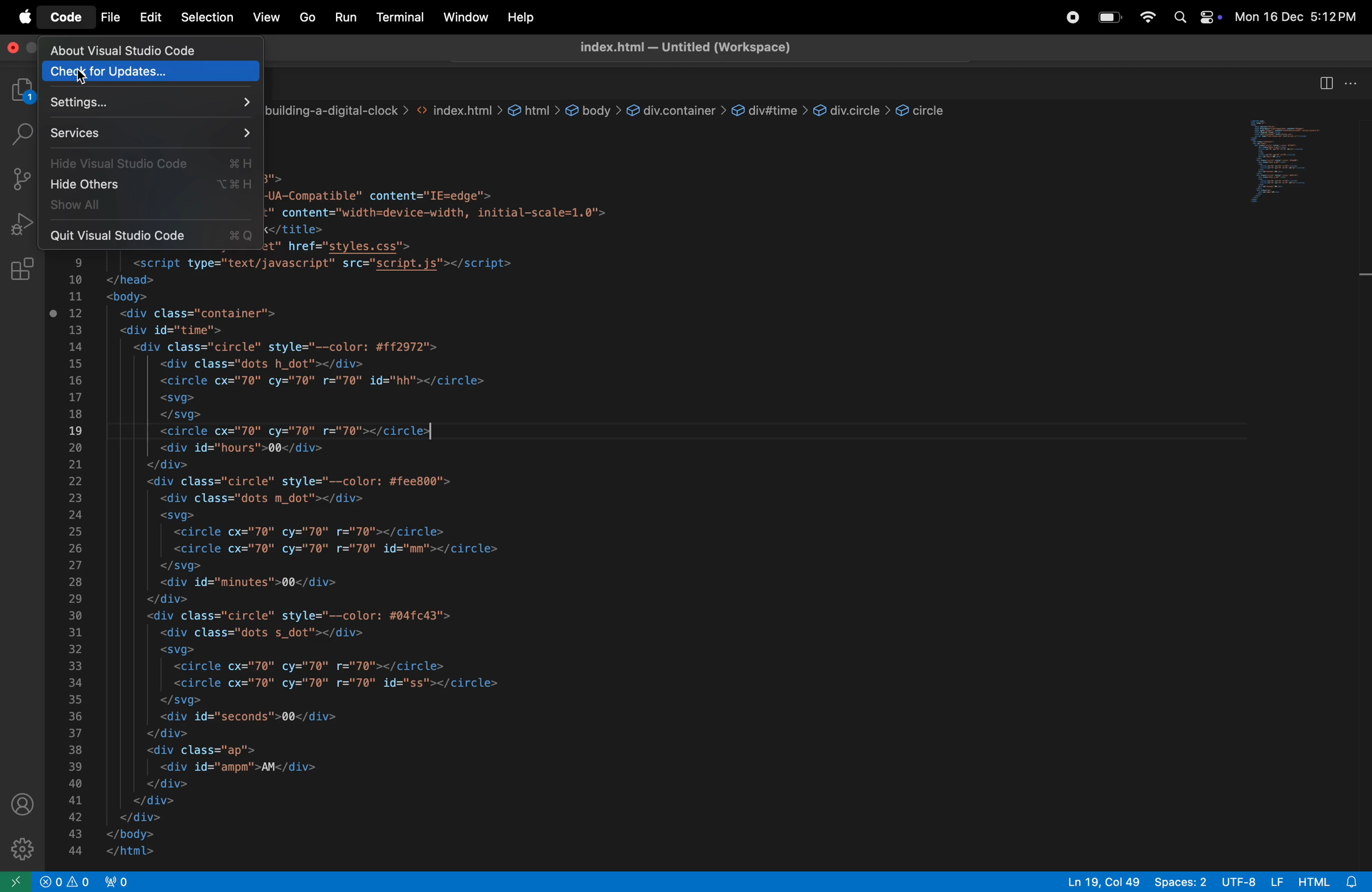  Describe the element at coordinates (152, 101) in the screenshot. I see `settings` at that location.